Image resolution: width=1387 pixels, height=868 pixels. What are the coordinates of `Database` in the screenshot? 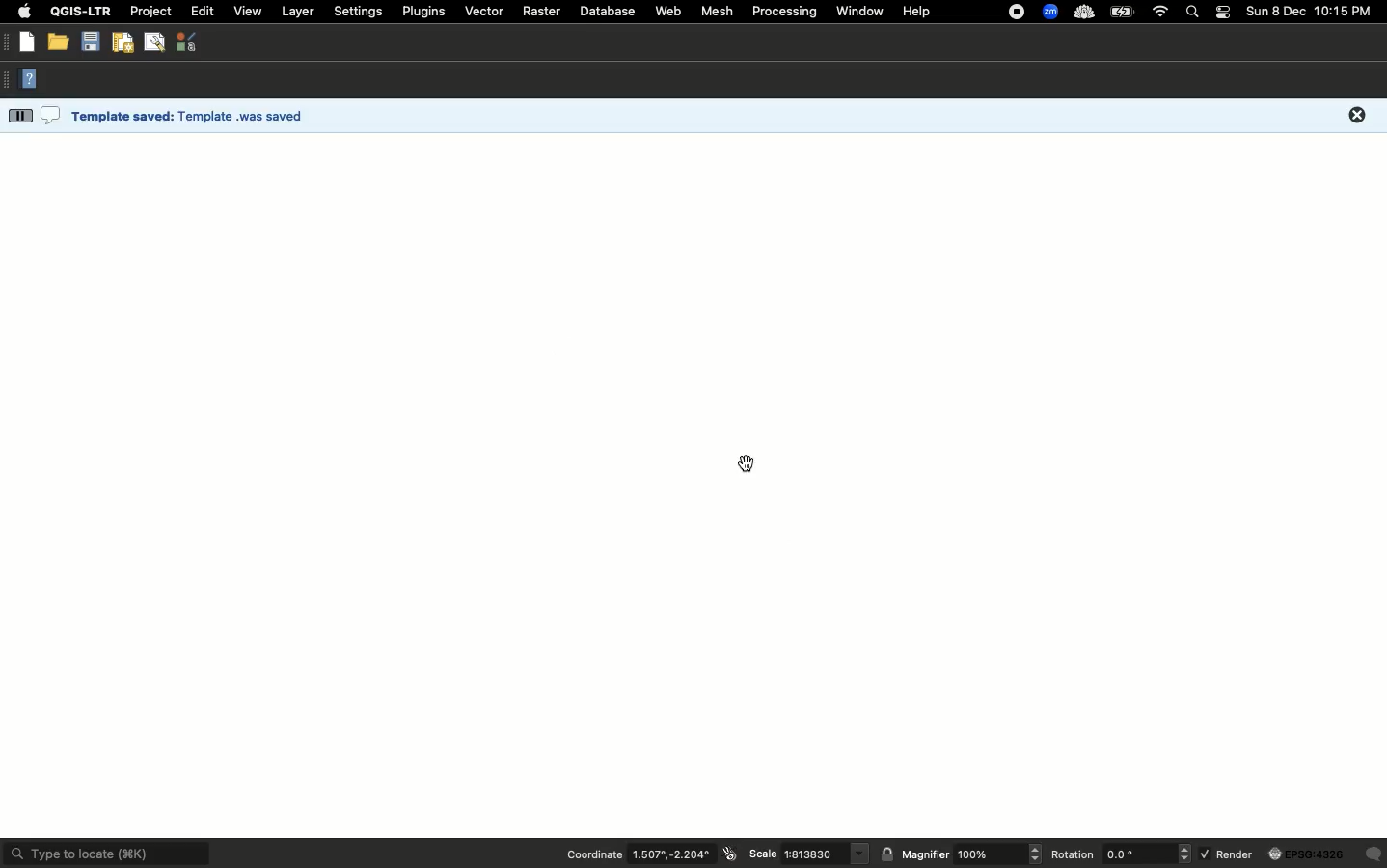 It's located at (610, 10).